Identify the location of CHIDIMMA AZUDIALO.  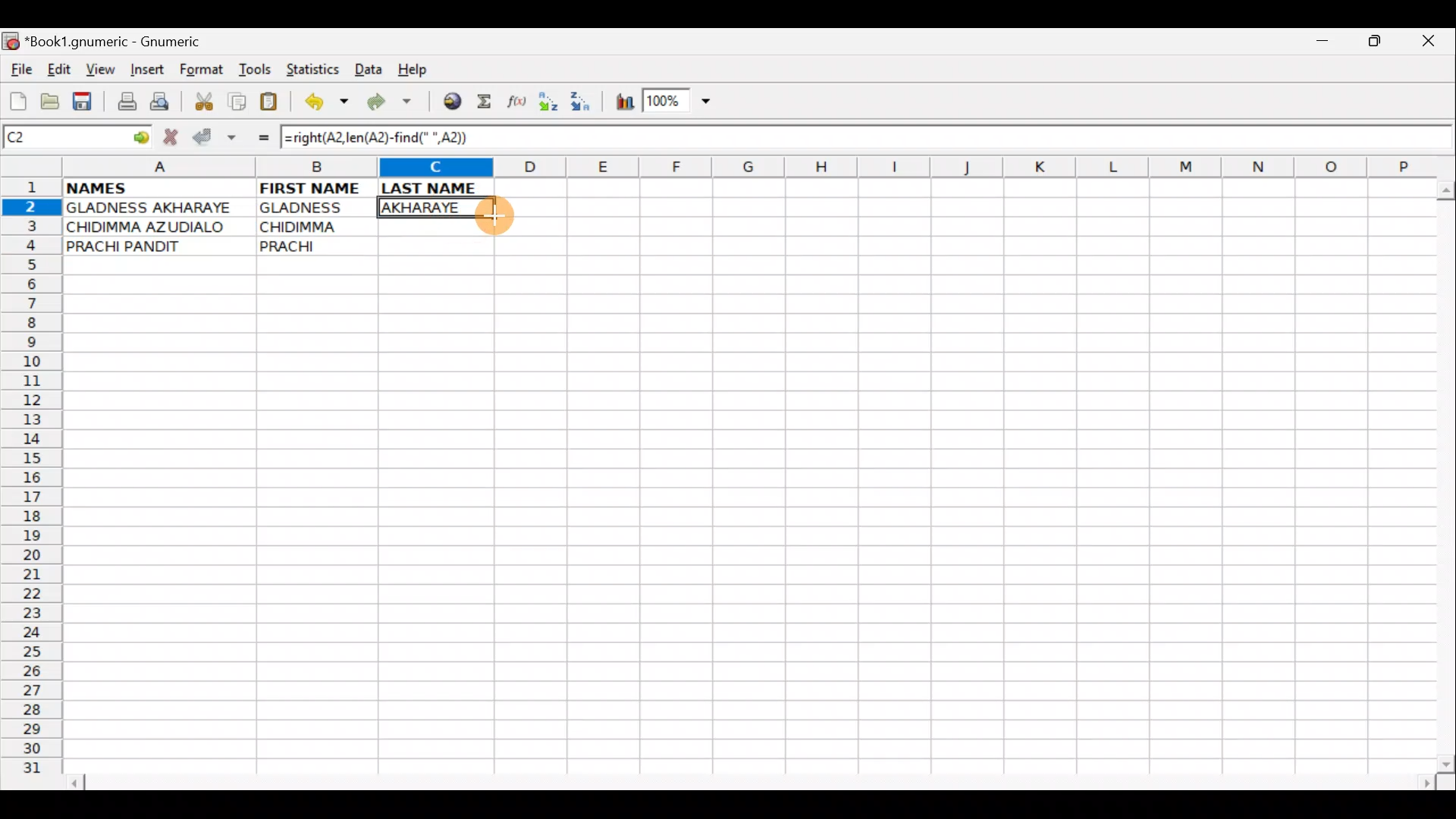
(152, 227).